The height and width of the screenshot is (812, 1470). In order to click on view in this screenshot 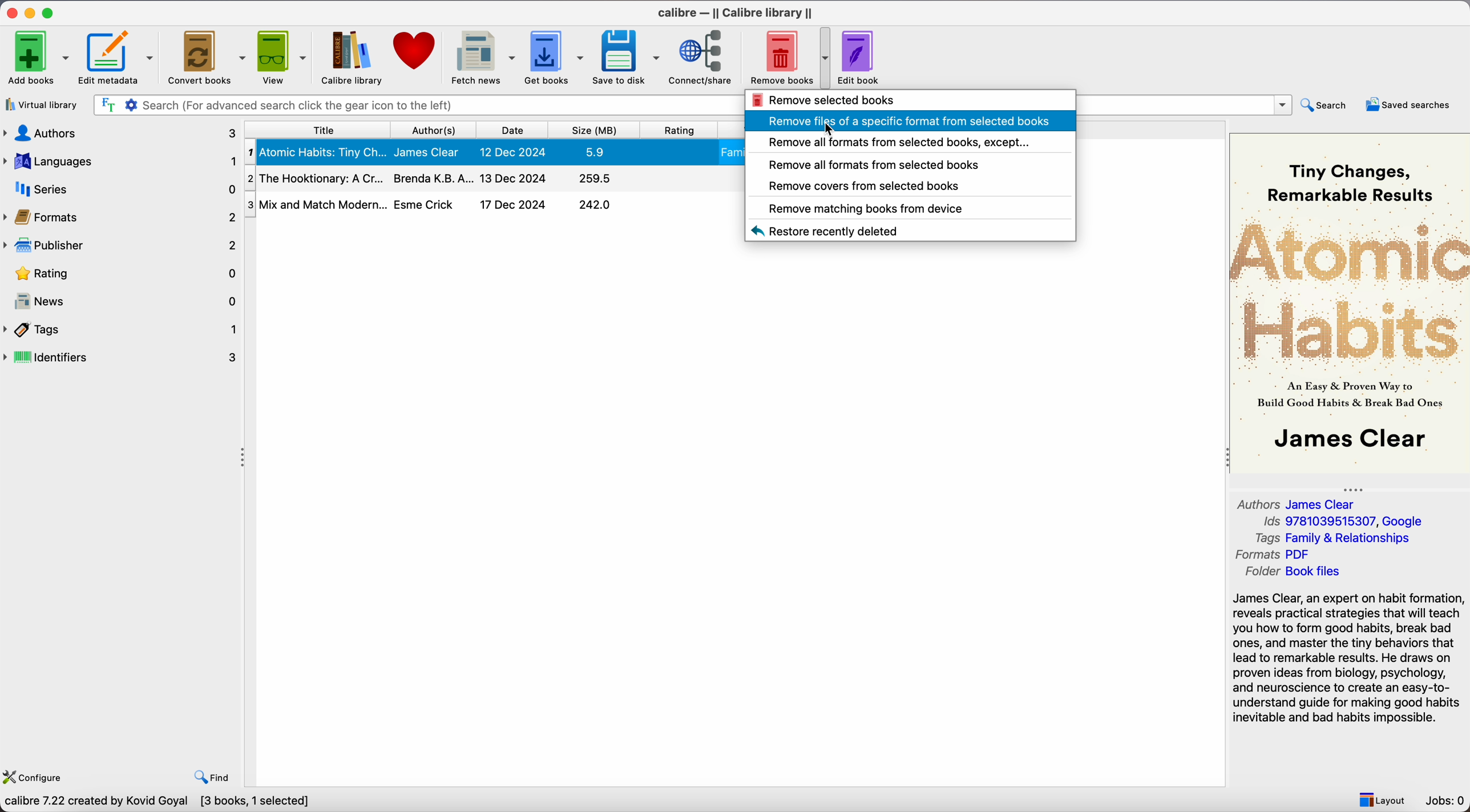, I will do `click(282, 57)`.